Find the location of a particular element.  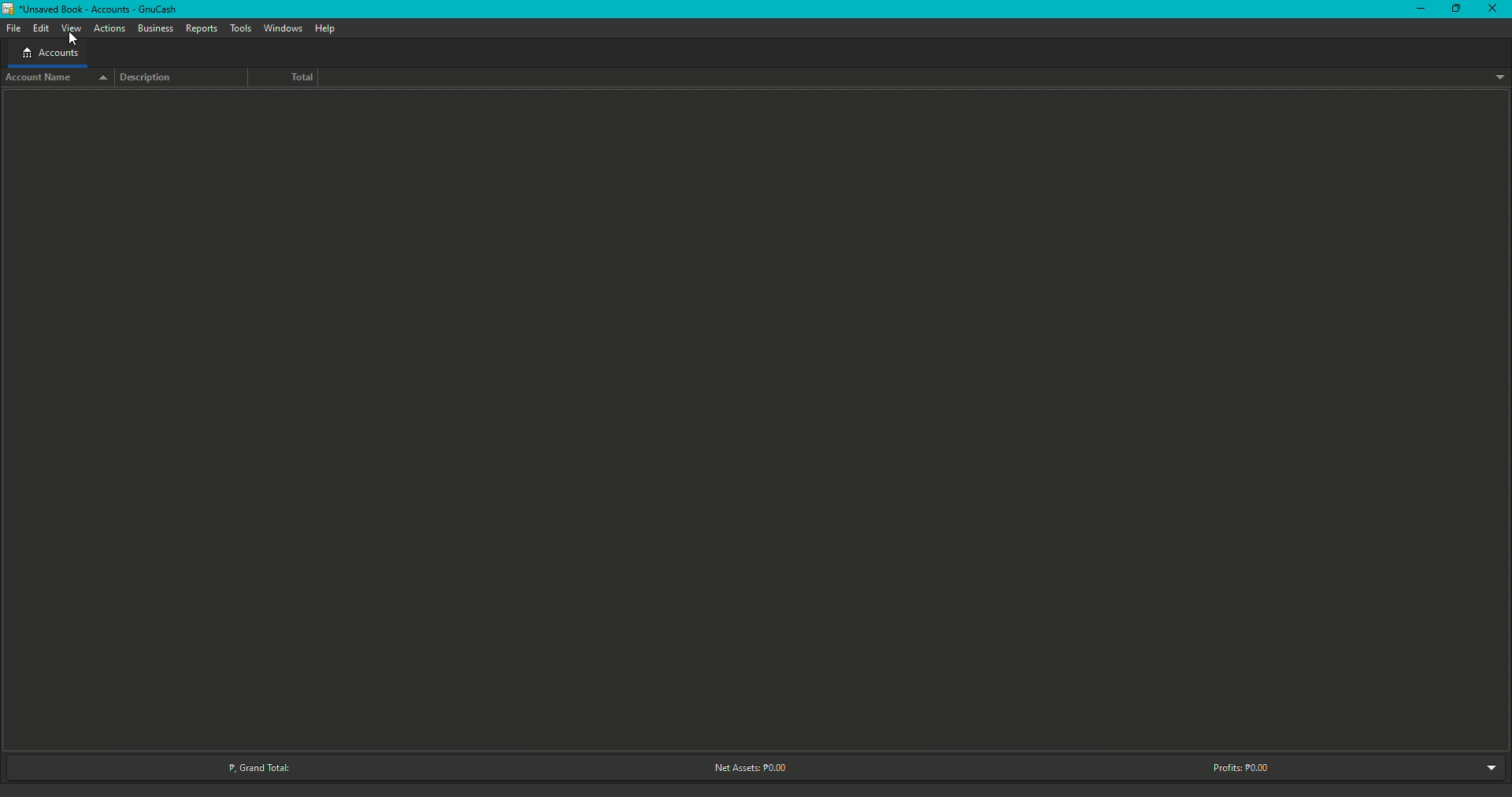

Tools is located at coordinates (241, 26).